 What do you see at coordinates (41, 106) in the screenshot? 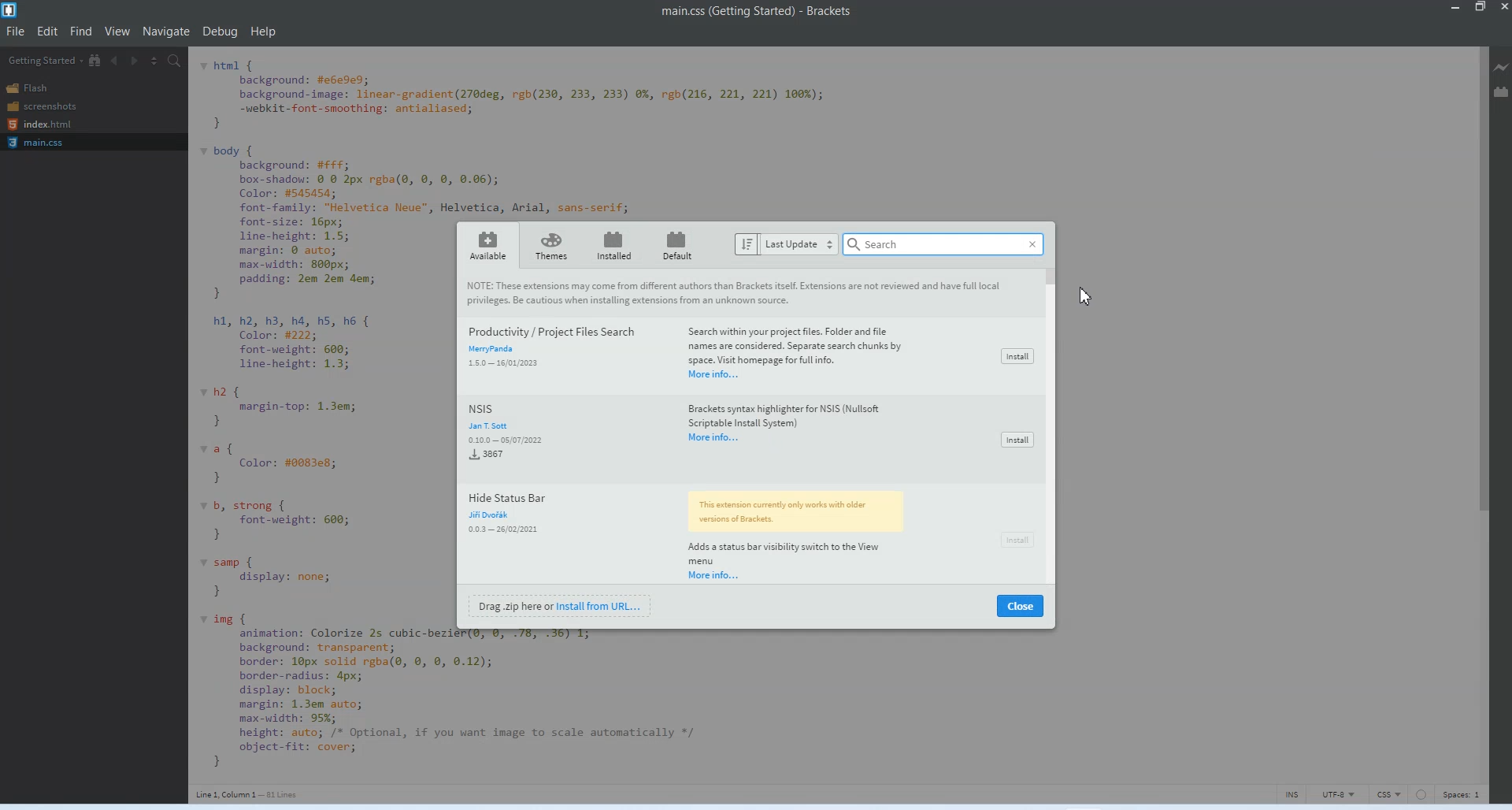
I see `Screenshots` at bounding box center [41, 106].